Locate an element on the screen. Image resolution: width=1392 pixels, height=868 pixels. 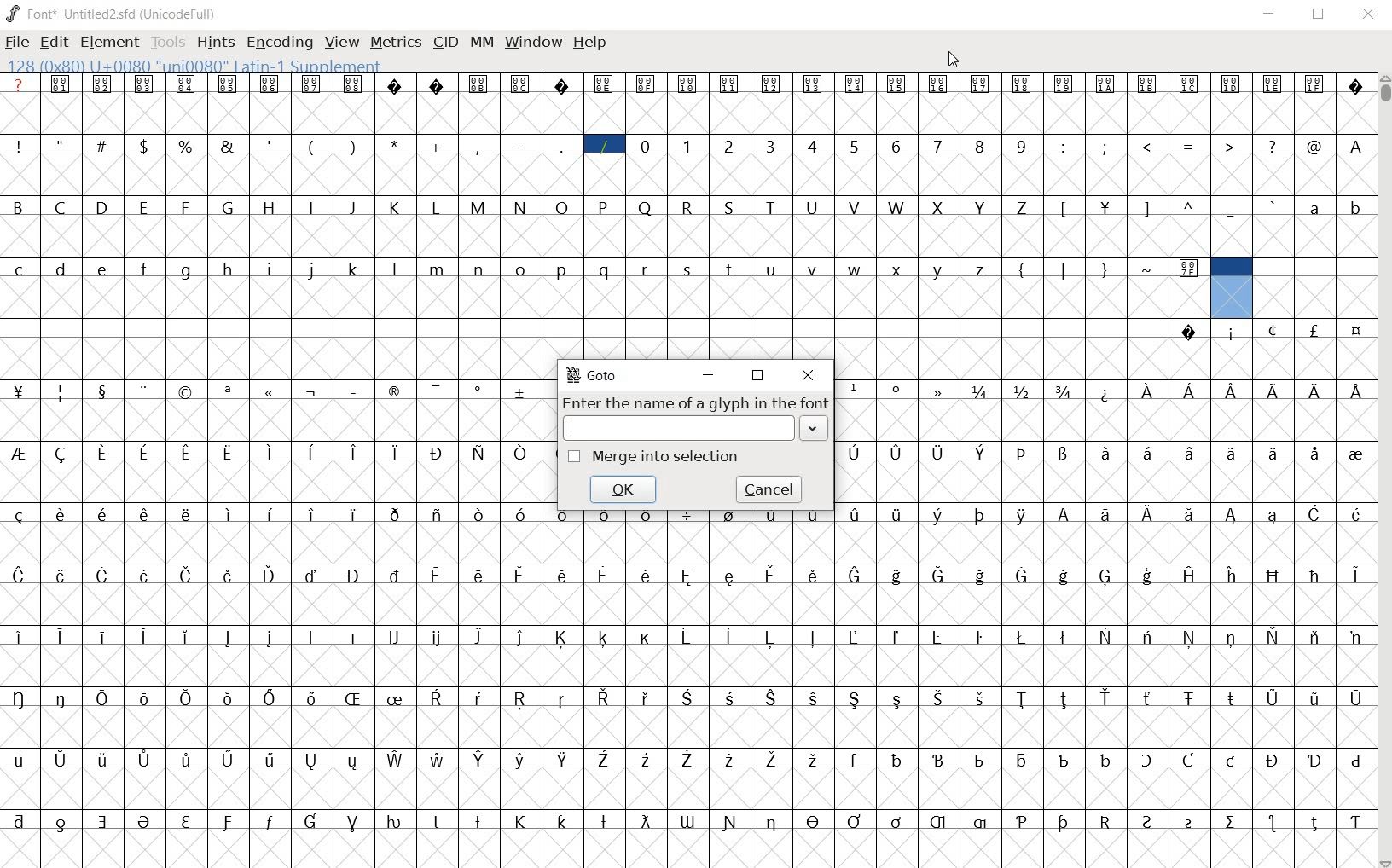
Symbol is located at coordinates (983, 698).